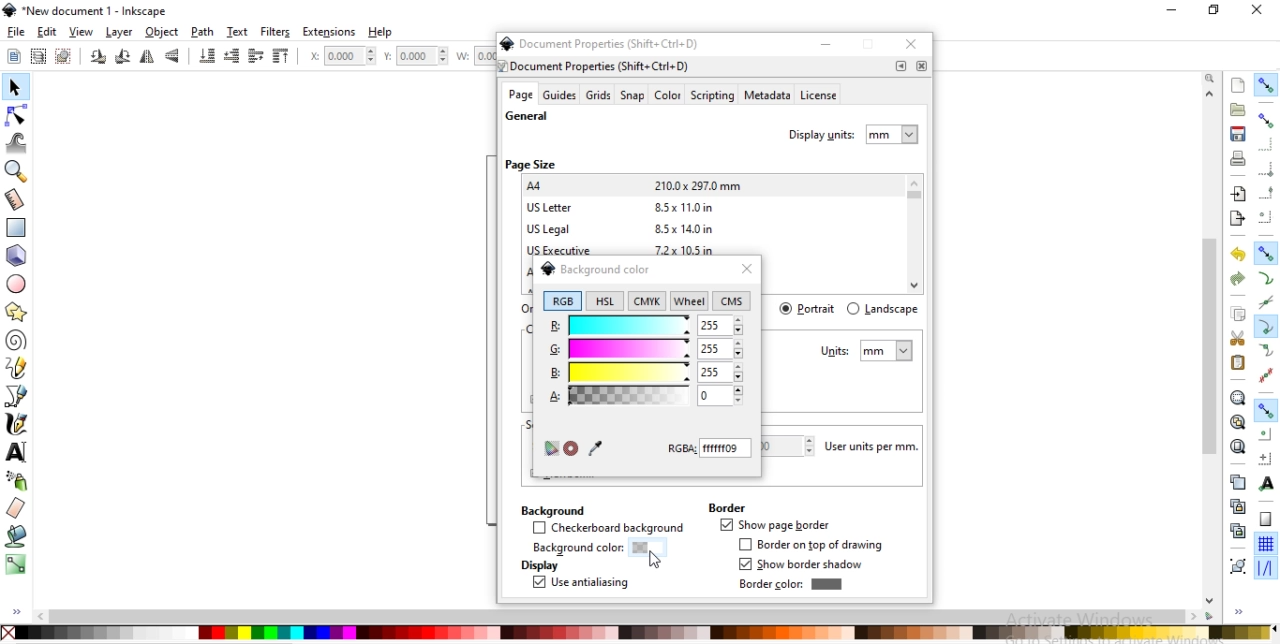 This screenshot has width=1280, height=644. I want to click on alpha, so click(615, 394).